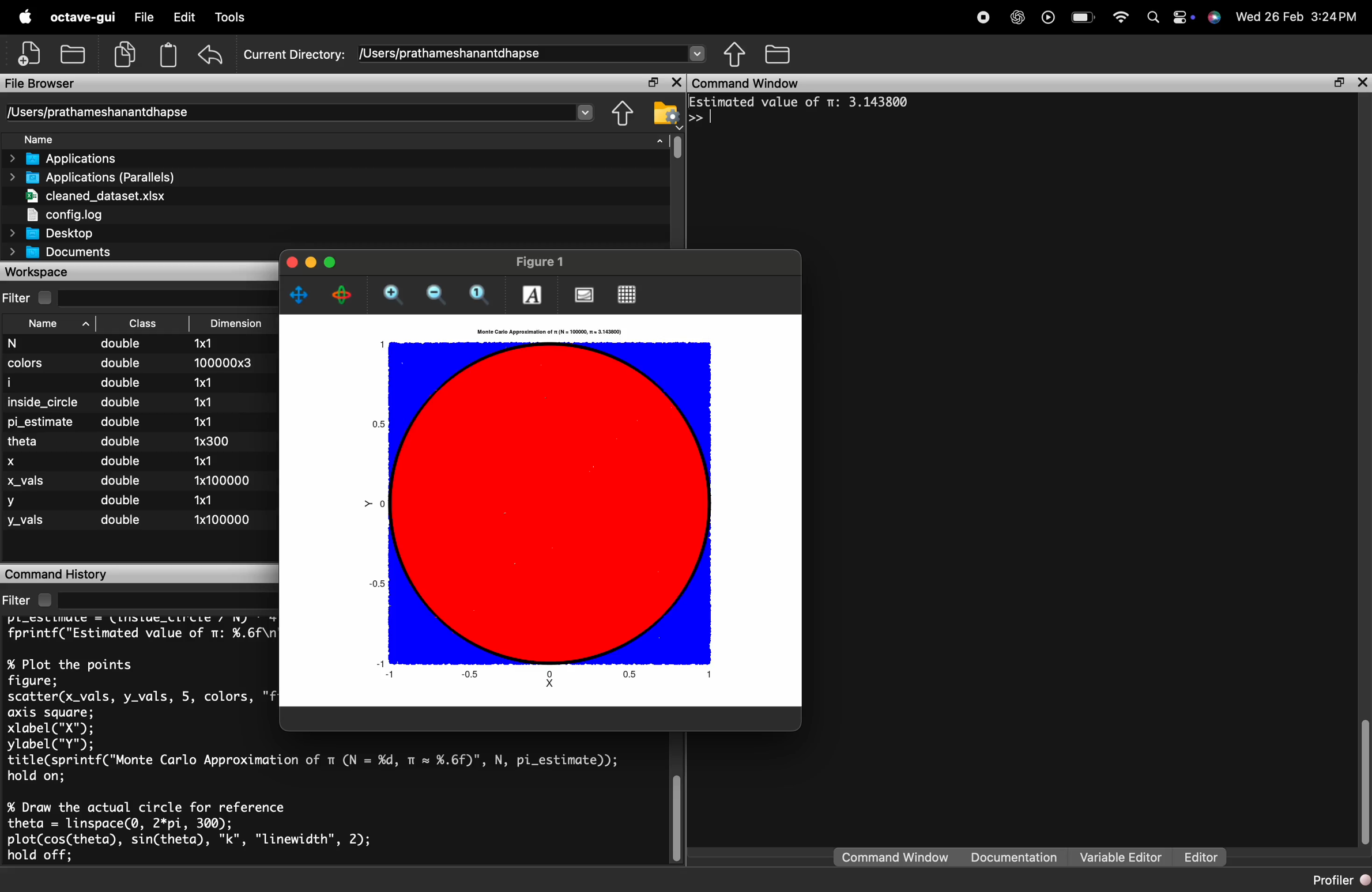  I want to click on Maximize, so click(650, 573).